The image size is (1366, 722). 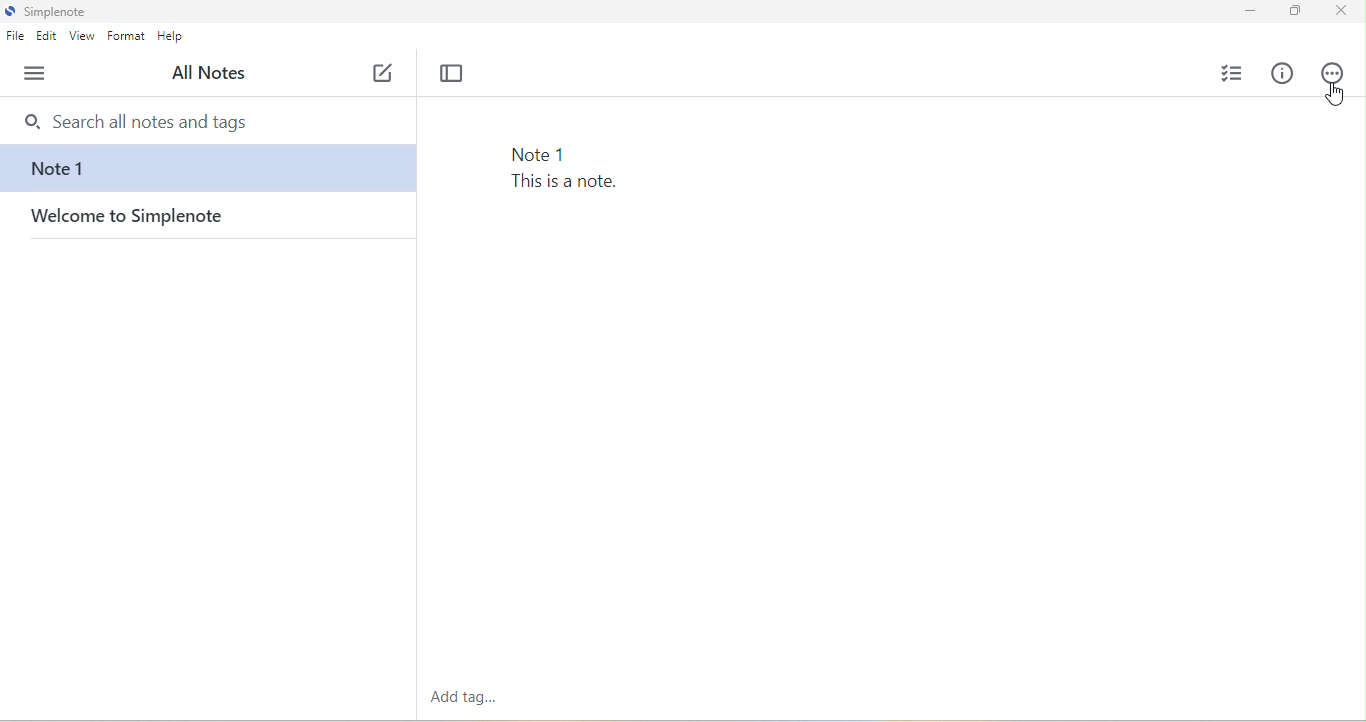 What do you see at coordinates (1231, 72) in the screenshot?
I see `insert checklist` at bounding box center [1231, 72].